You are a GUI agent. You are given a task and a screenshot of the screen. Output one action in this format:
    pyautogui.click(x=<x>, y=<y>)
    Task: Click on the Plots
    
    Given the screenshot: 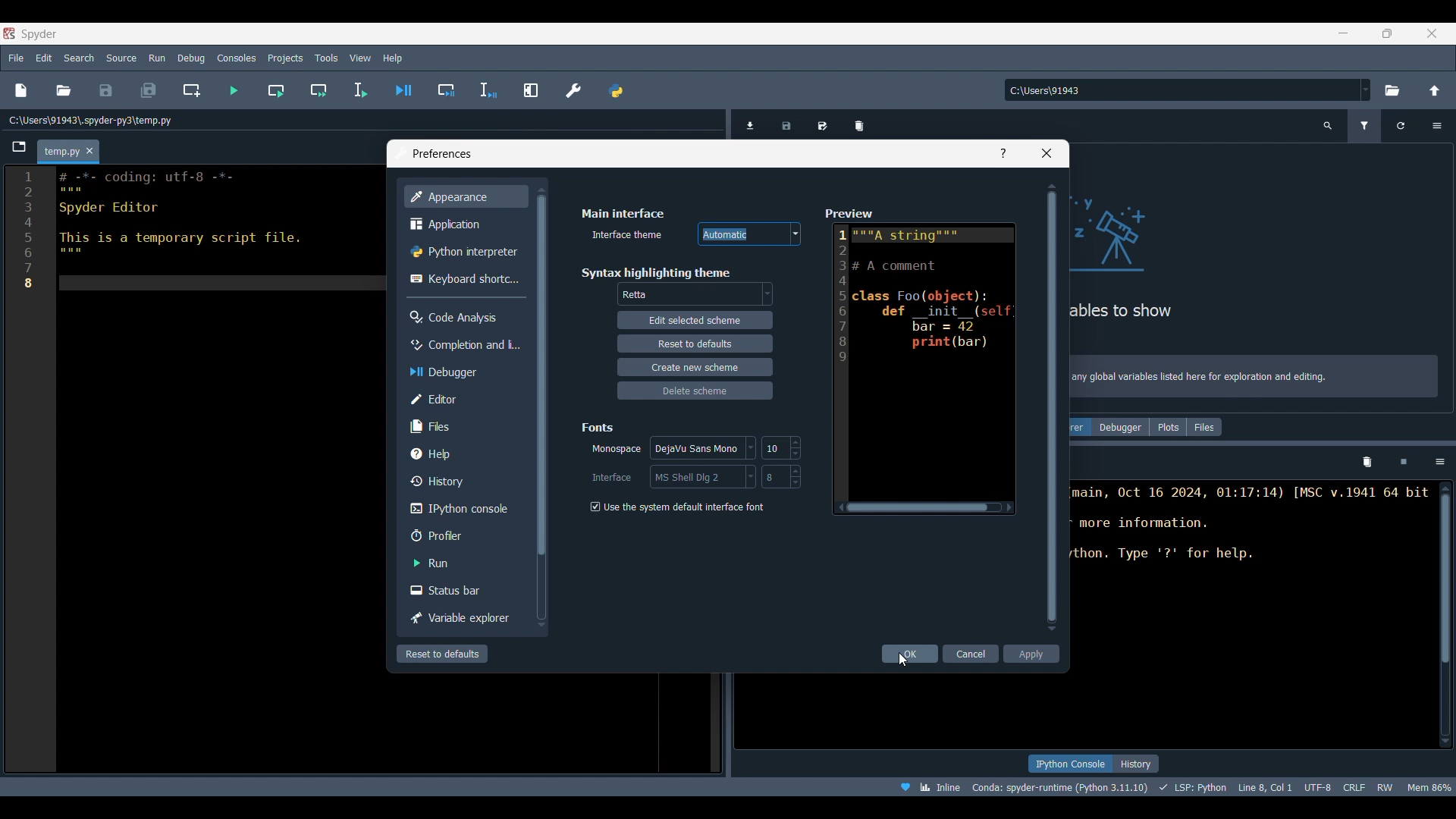 What is the action you would take?
    pyautogui.click(x=1168, y=427)
    